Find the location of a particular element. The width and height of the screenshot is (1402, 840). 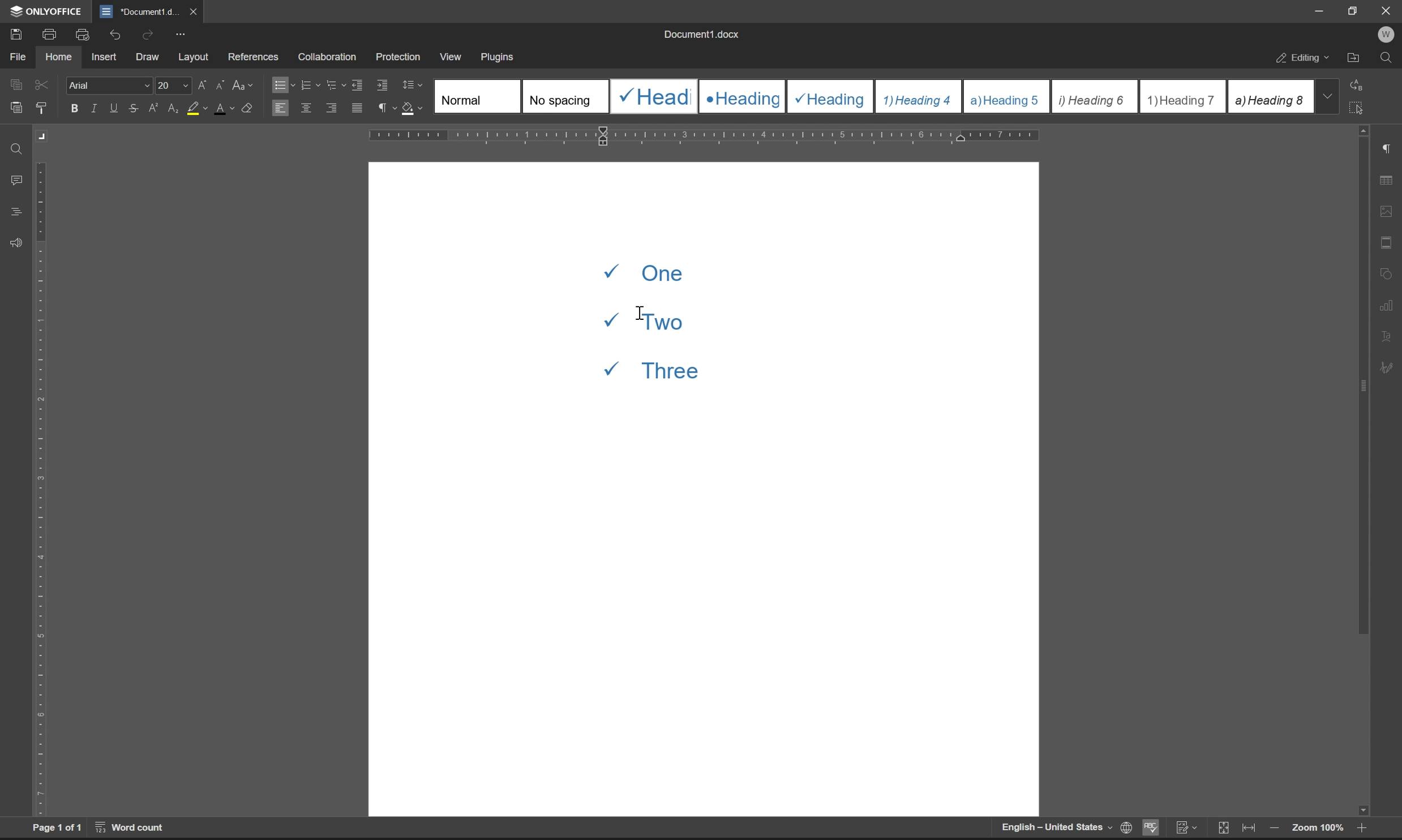

Heading 5 is located at coordinates (1007, 96).